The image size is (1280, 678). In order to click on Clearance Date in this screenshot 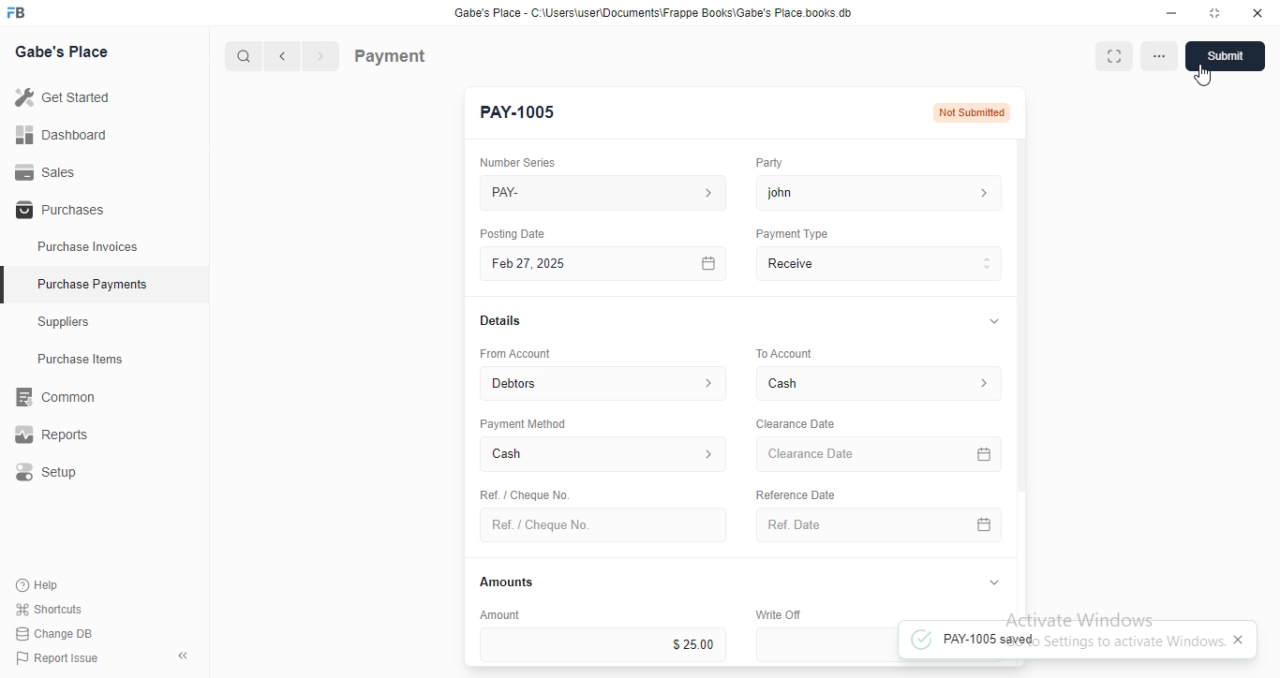, I will do `click(882, 455)`.